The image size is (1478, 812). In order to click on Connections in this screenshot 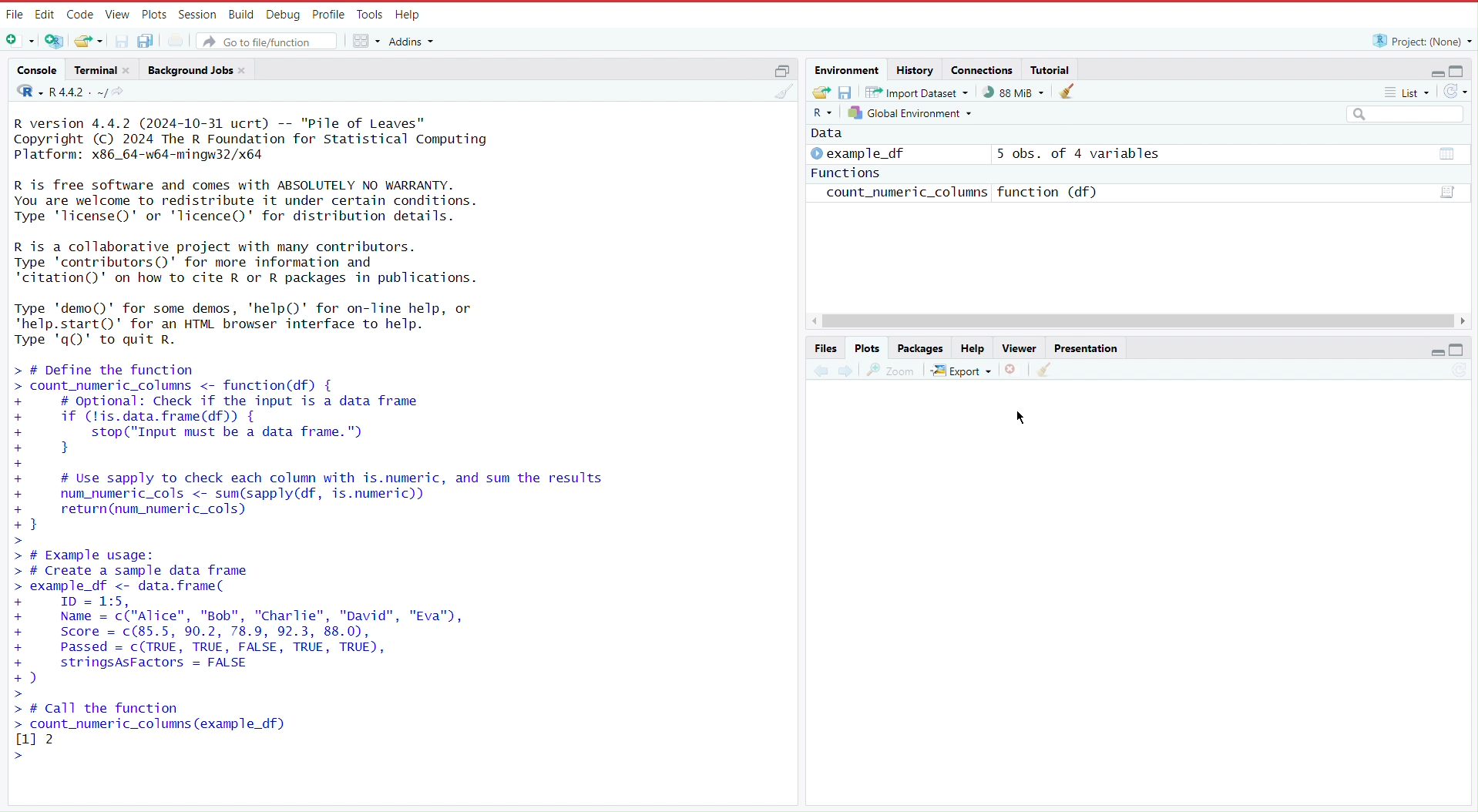, I will do `click(983, 69)`.